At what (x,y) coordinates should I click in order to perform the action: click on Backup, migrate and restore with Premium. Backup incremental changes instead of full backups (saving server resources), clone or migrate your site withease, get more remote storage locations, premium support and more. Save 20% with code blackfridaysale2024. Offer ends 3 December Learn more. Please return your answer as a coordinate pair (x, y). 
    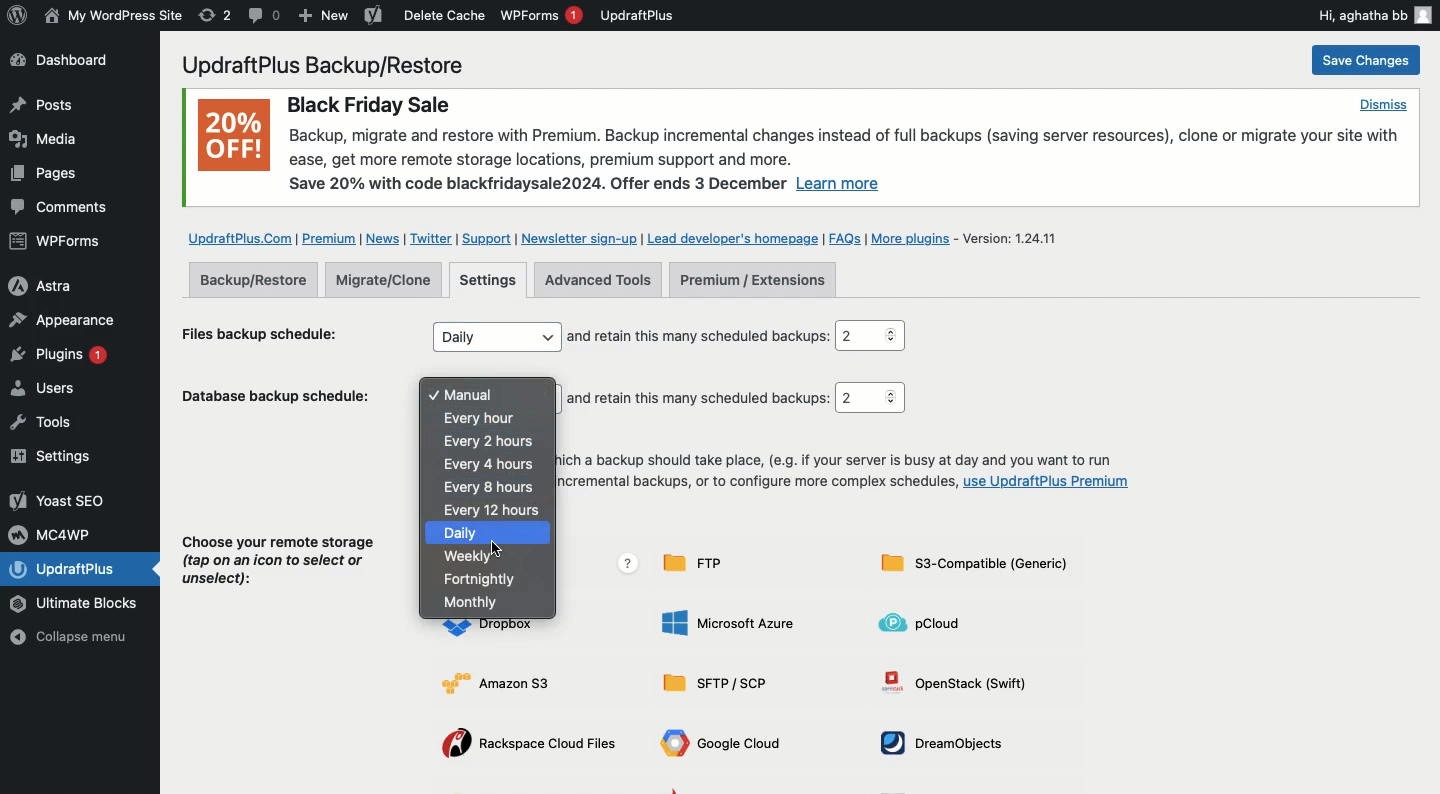
    Looking at the image, I should click on (849, 161).